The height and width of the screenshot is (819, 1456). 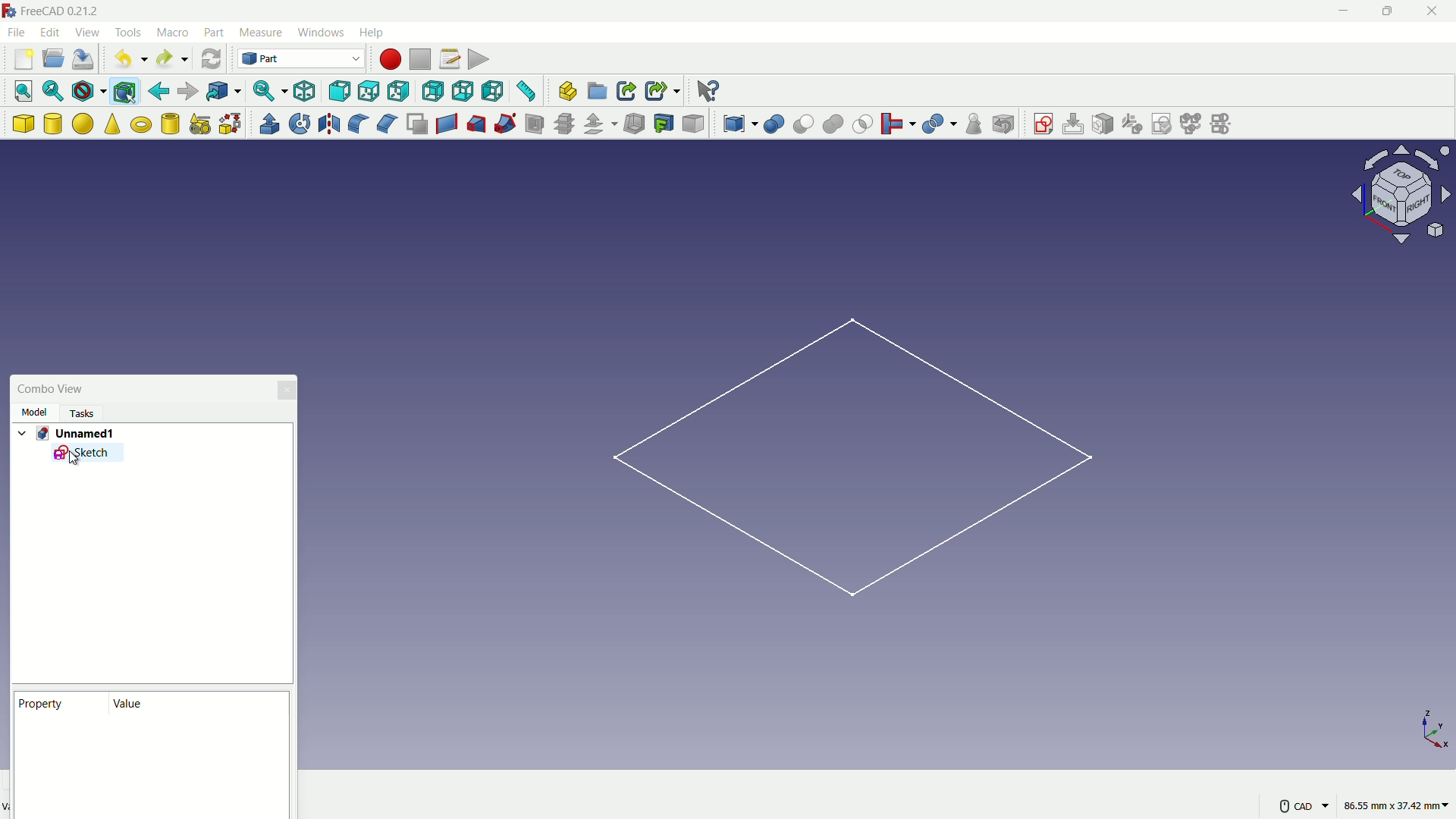 I want to click on selection, so click(x=863, y=124).